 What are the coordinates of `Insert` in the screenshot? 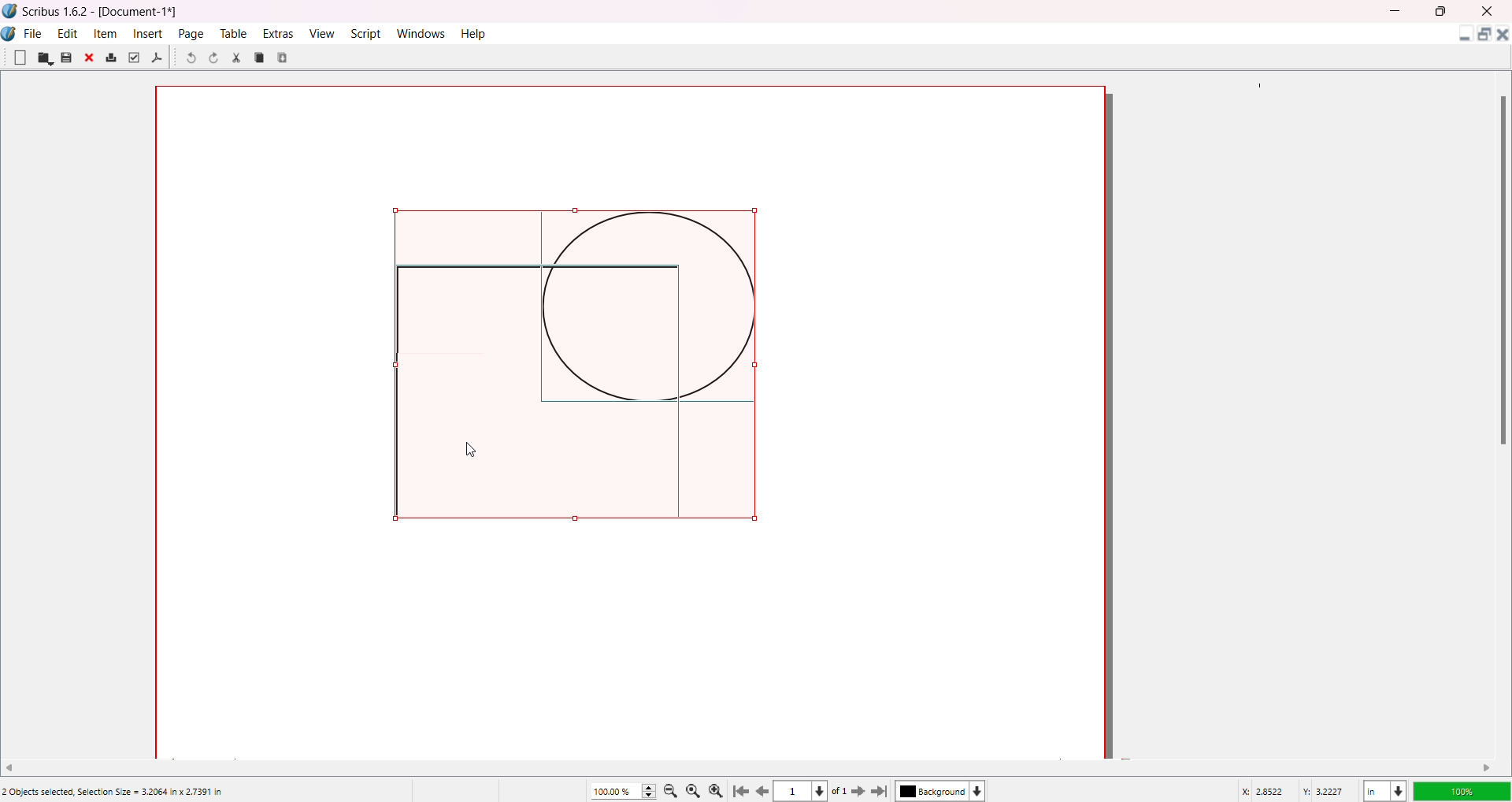 It's located at (150, 33).